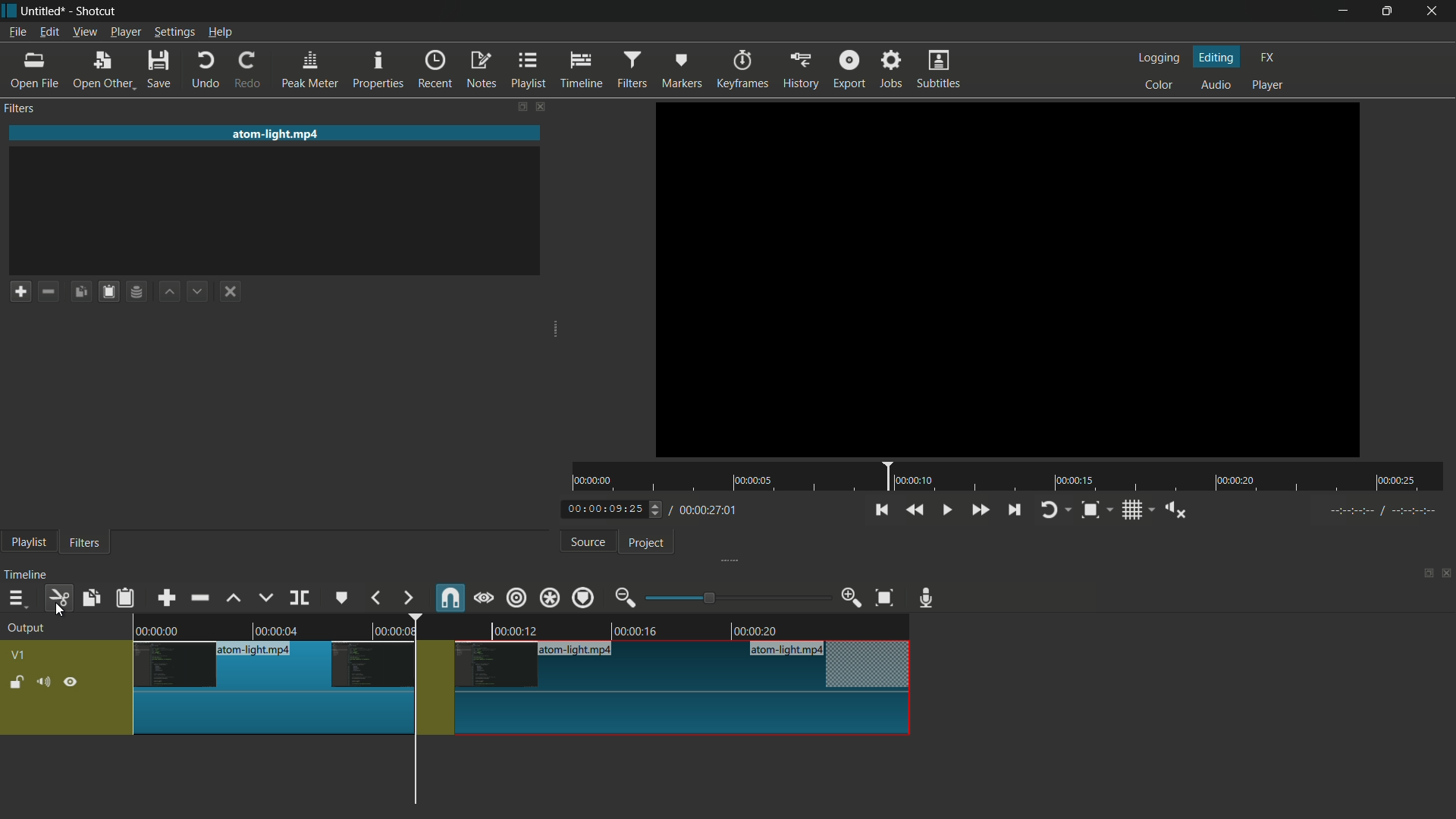 This screenshot has height=819, width=1456. I want to click on video in timeline, so click(520, 625).